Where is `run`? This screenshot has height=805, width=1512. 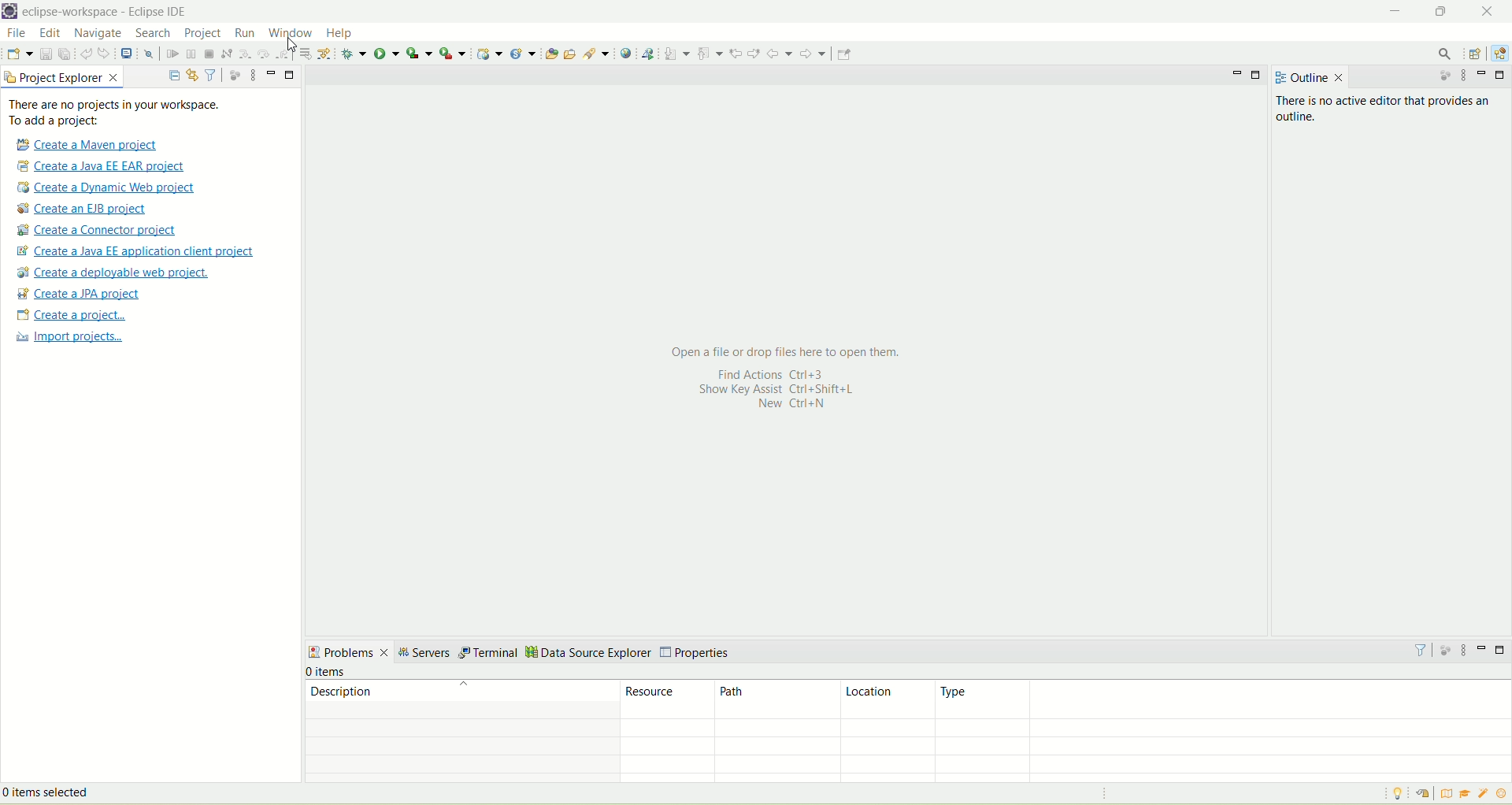
run is located at coordinates (387, 53).